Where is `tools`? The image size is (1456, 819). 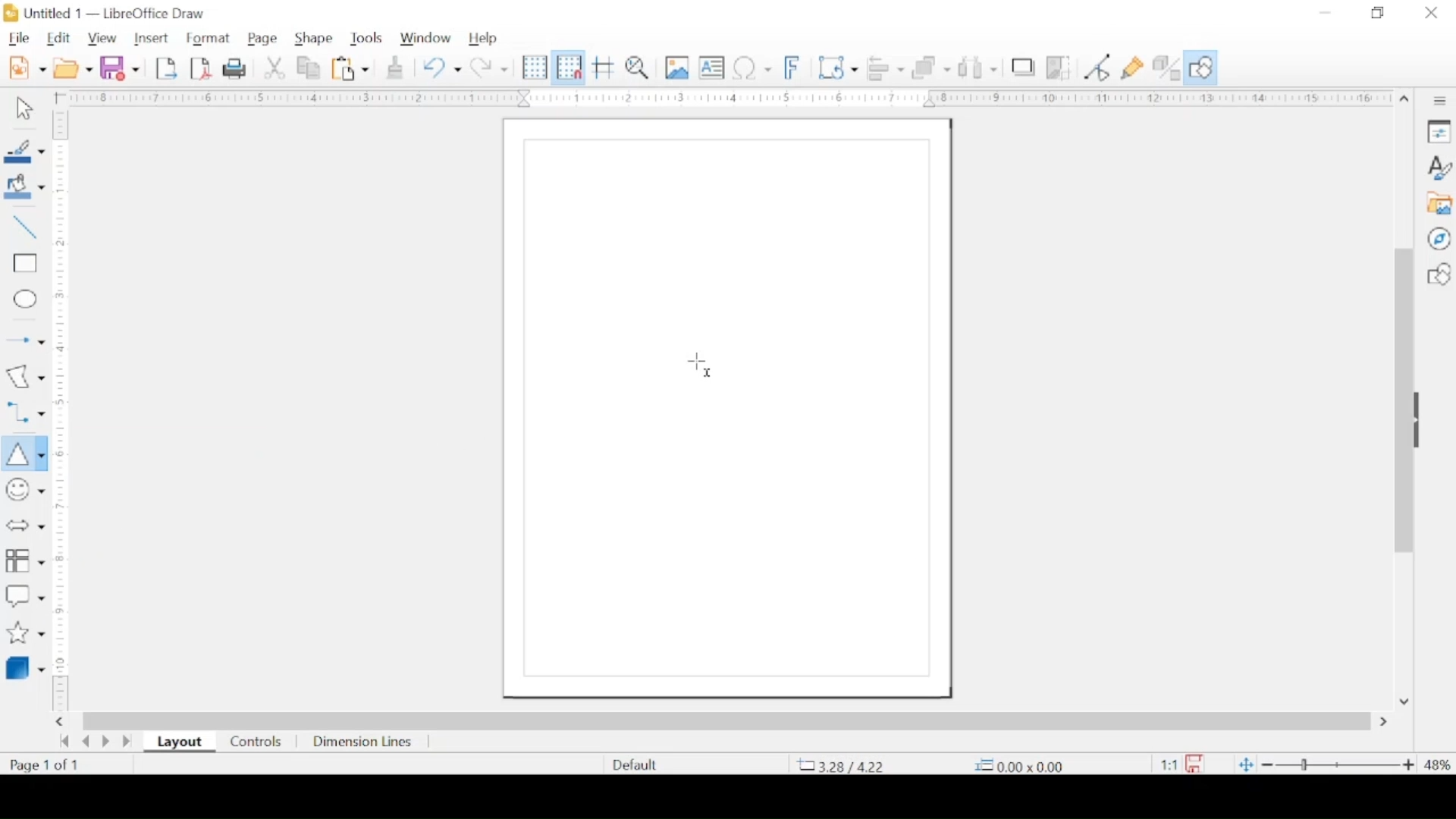
tools is located at coordinates (366, 38).